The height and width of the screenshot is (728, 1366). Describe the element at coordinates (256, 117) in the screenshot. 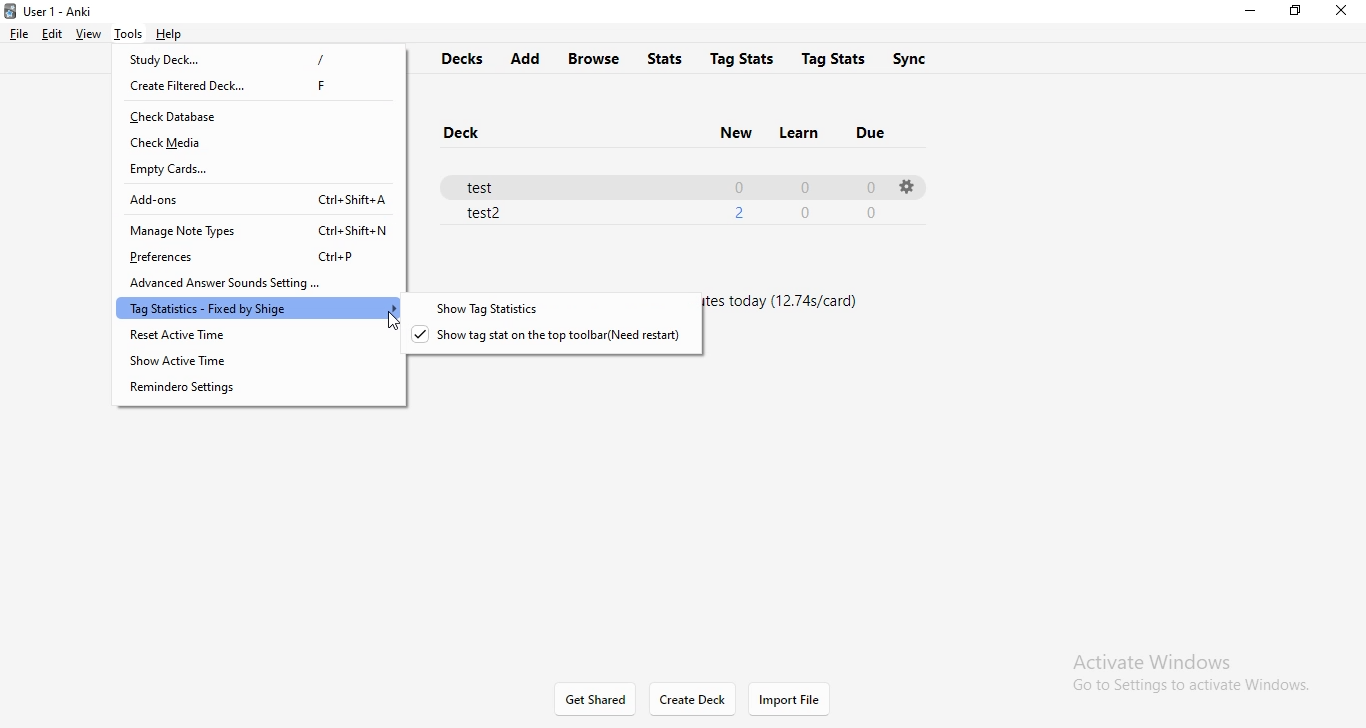

I see `check database` at that location.